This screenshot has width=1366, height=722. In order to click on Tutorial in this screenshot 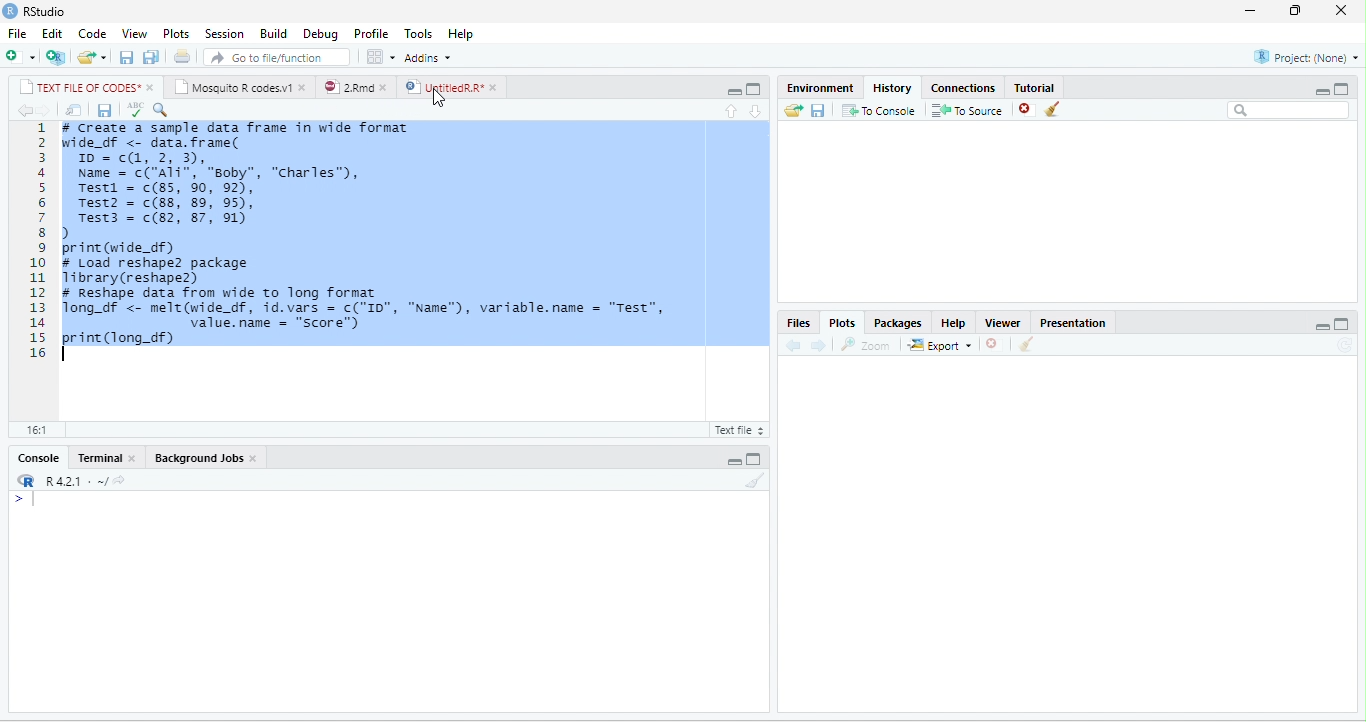, I will do `click(1034, 87)`.